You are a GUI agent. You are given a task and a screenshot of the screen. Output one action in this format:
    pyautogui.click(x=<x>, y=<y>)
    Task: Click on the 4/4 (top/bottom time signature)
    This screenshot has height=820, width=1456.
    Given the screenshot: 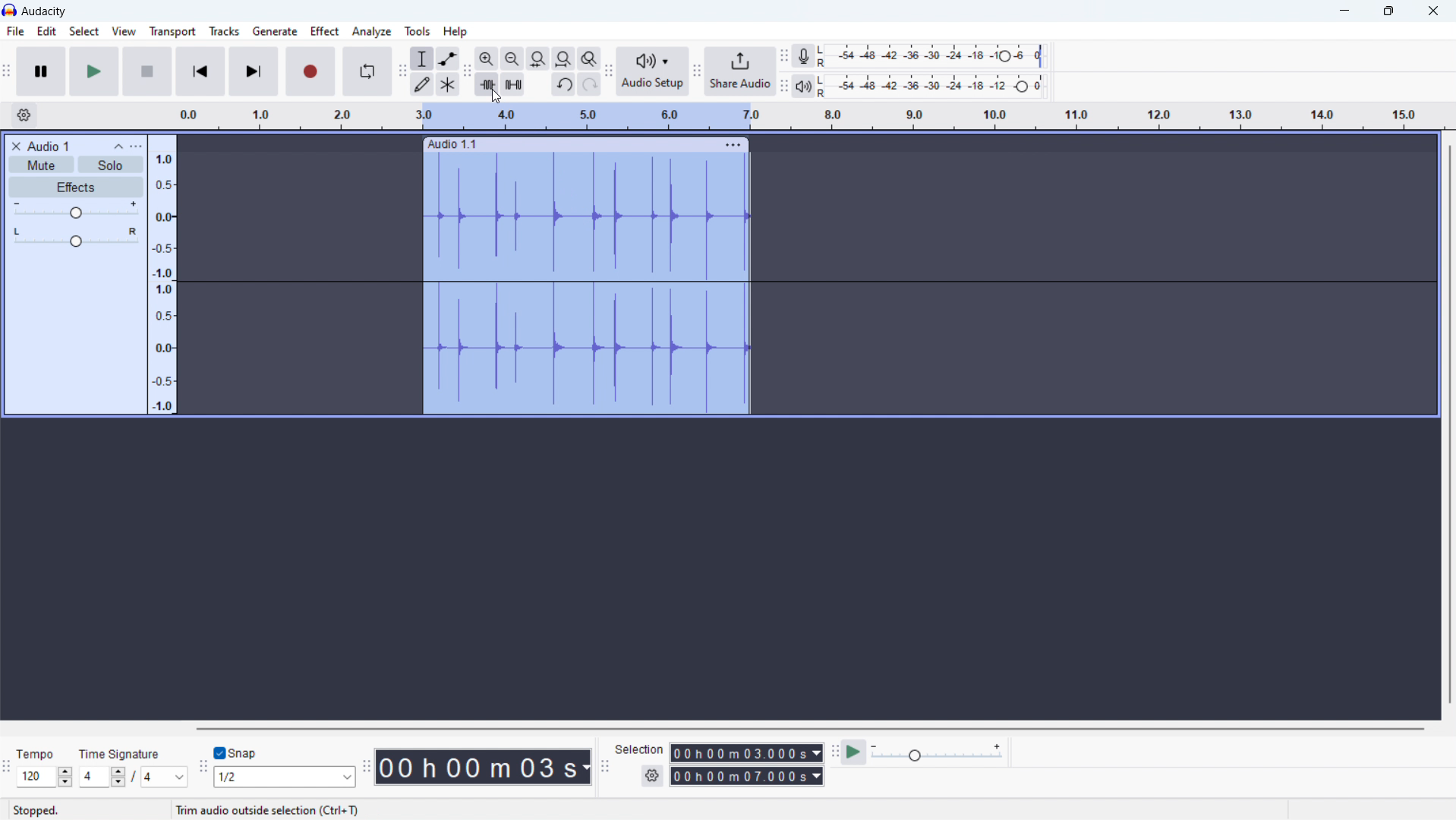 What is the action you would take?
    pyautogui.click(x=130, y=779)
    